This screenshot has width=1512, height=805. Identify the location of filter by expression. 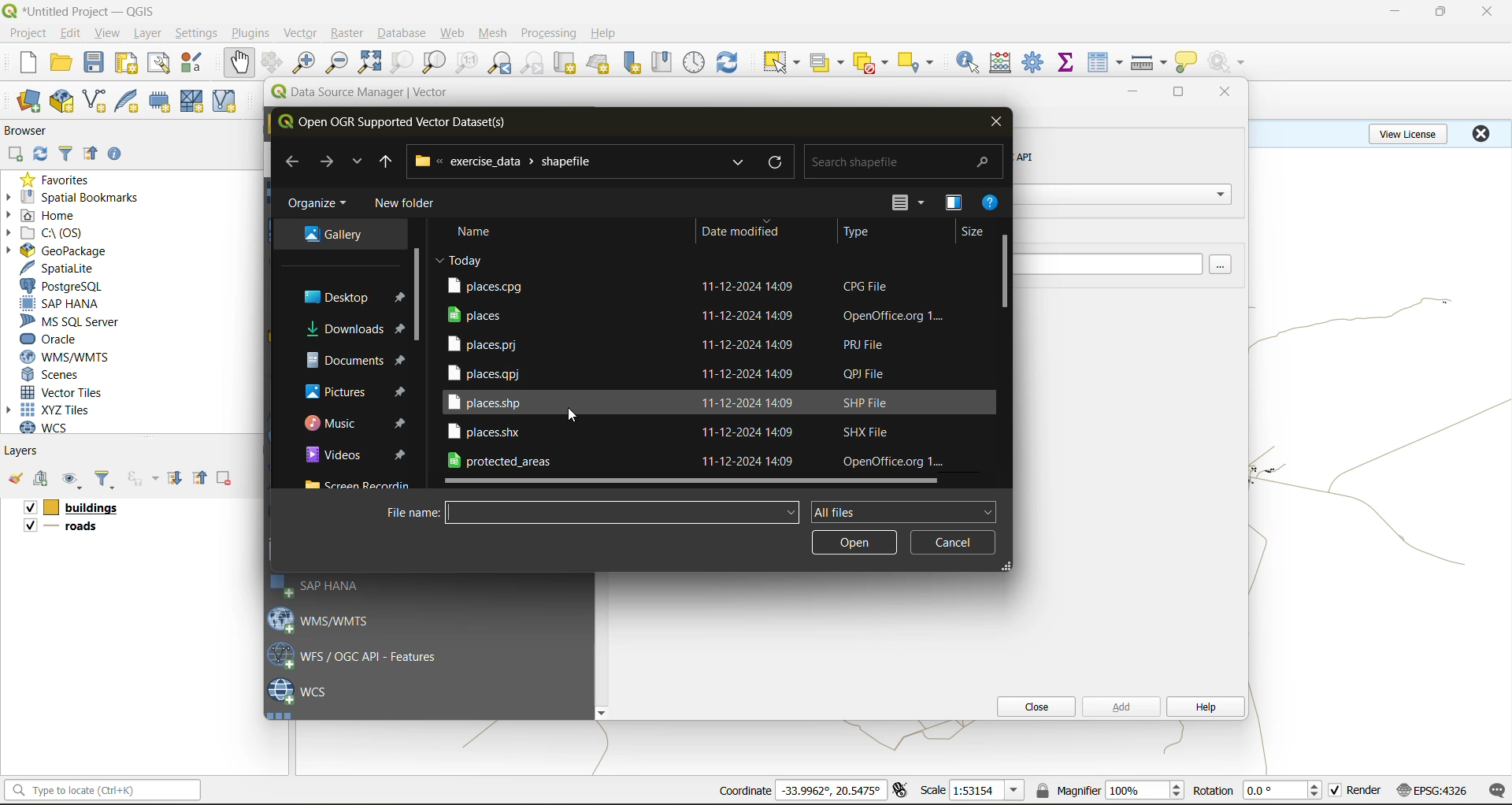
(145, 477).